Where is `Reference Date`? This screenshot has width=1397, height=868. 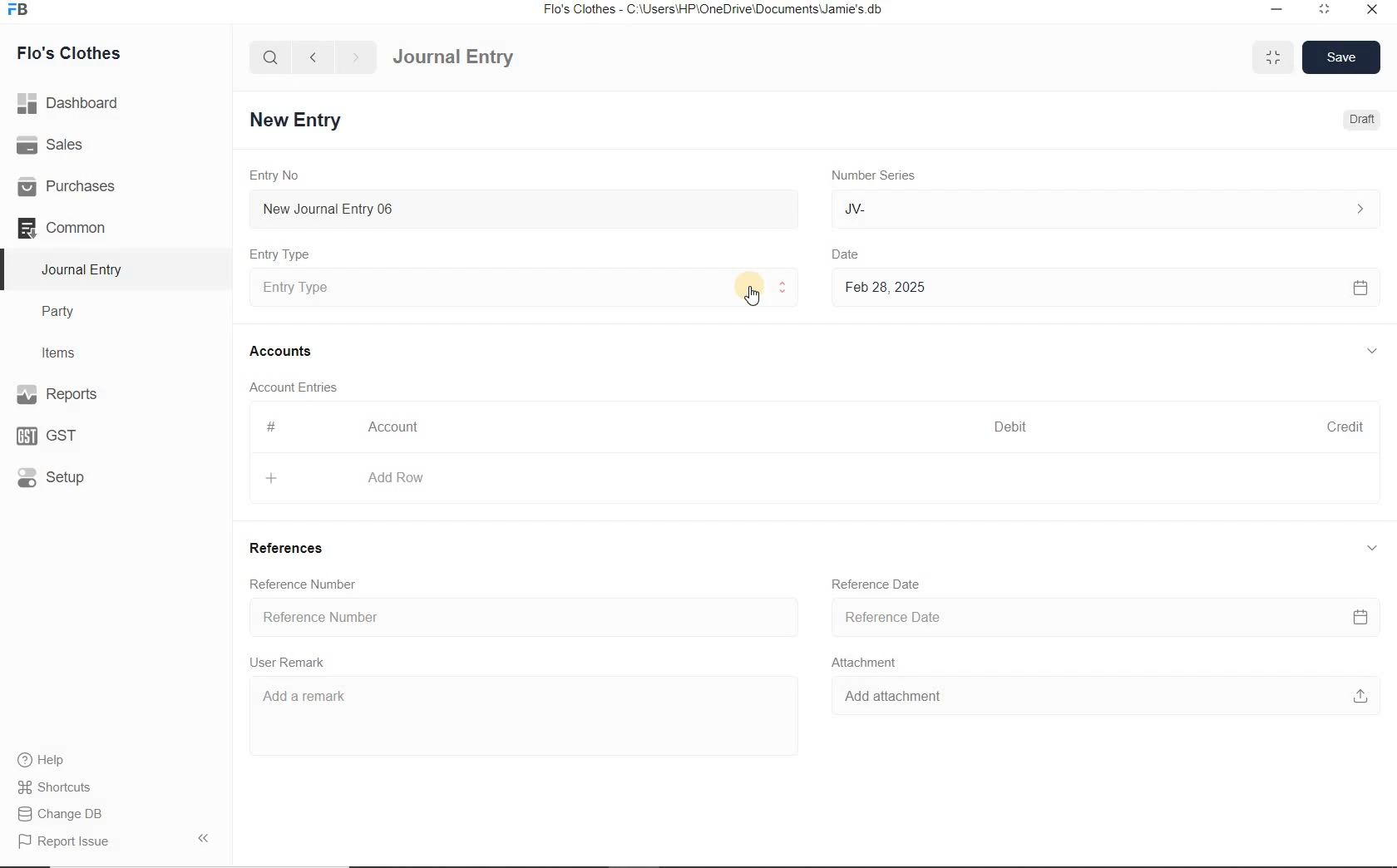
Reference Date is located at coordinates (879, 584).